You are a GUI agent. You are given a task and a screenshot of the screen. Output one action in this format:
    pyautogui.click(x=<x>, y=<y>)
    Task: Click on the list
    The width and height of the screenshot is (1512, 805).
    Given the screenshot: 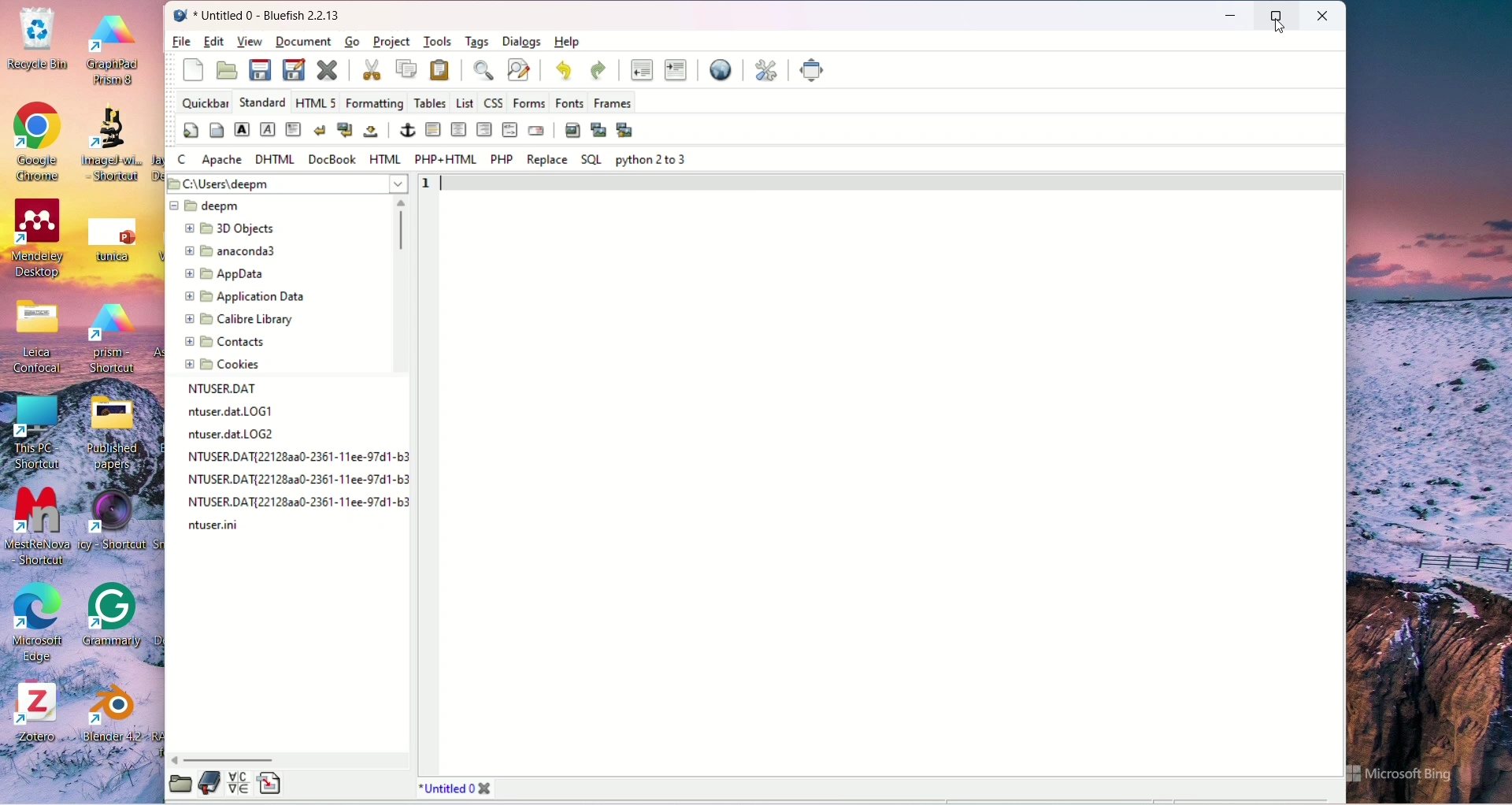 What is the action you would take?
    pyautogui.click(x=463, y=102)
    